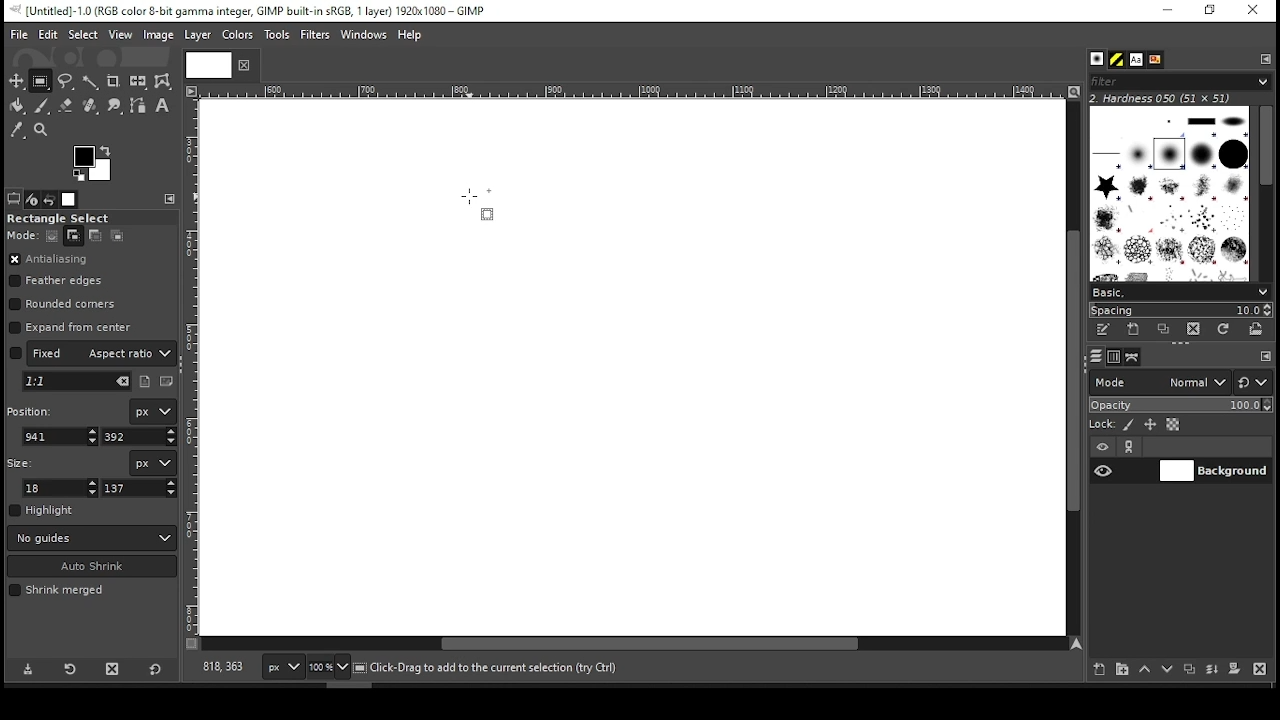 The height and width of the screenshot is (720, 1280). Describe the element at coordinates (1168, 671) in the screenshot. I see `move layer one step down` at that location.